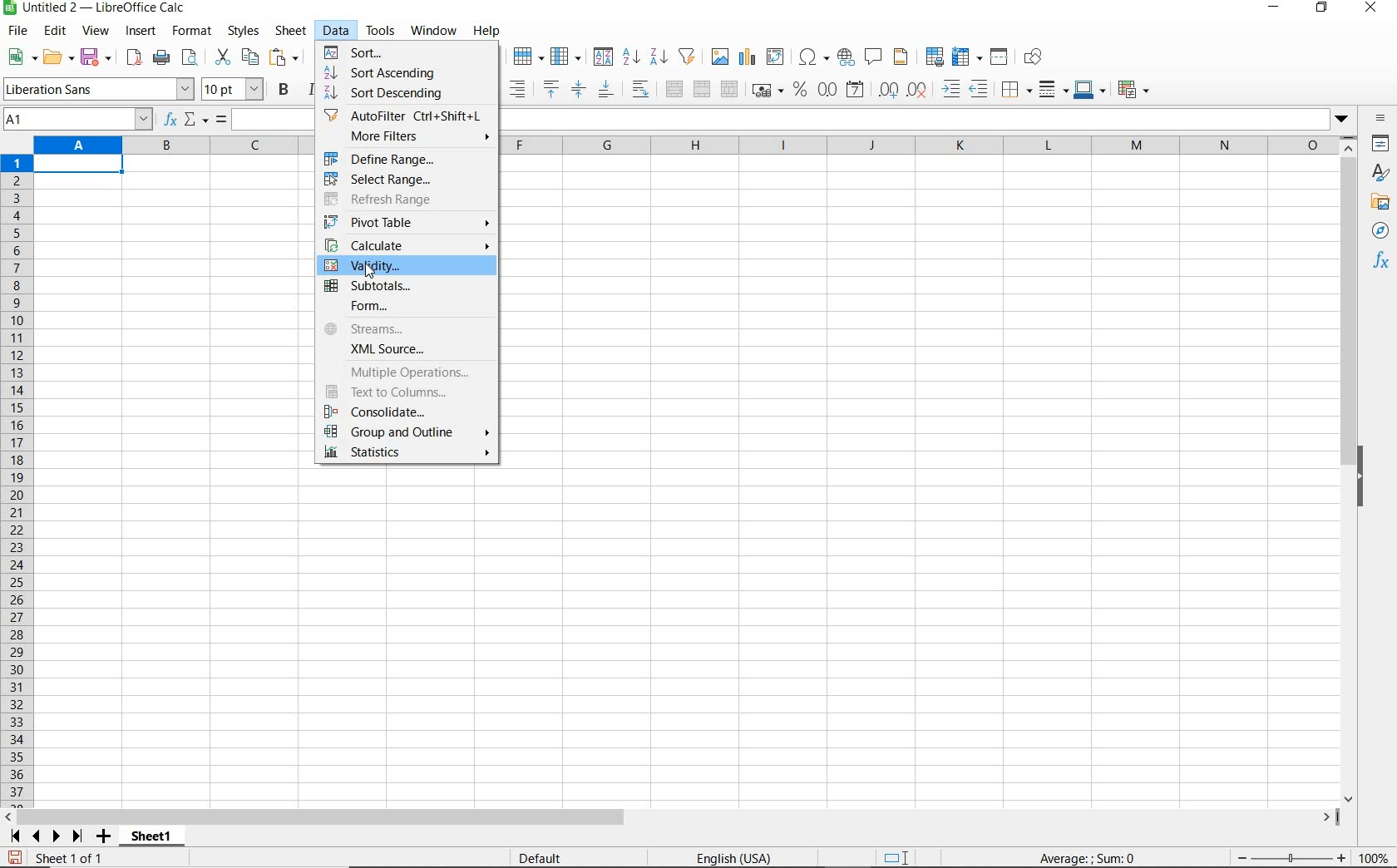 This screenshot has height=868, width=1397. Describe the element at coordinates (631, 58) in the screenshot. I see `sort ascending` at that location.